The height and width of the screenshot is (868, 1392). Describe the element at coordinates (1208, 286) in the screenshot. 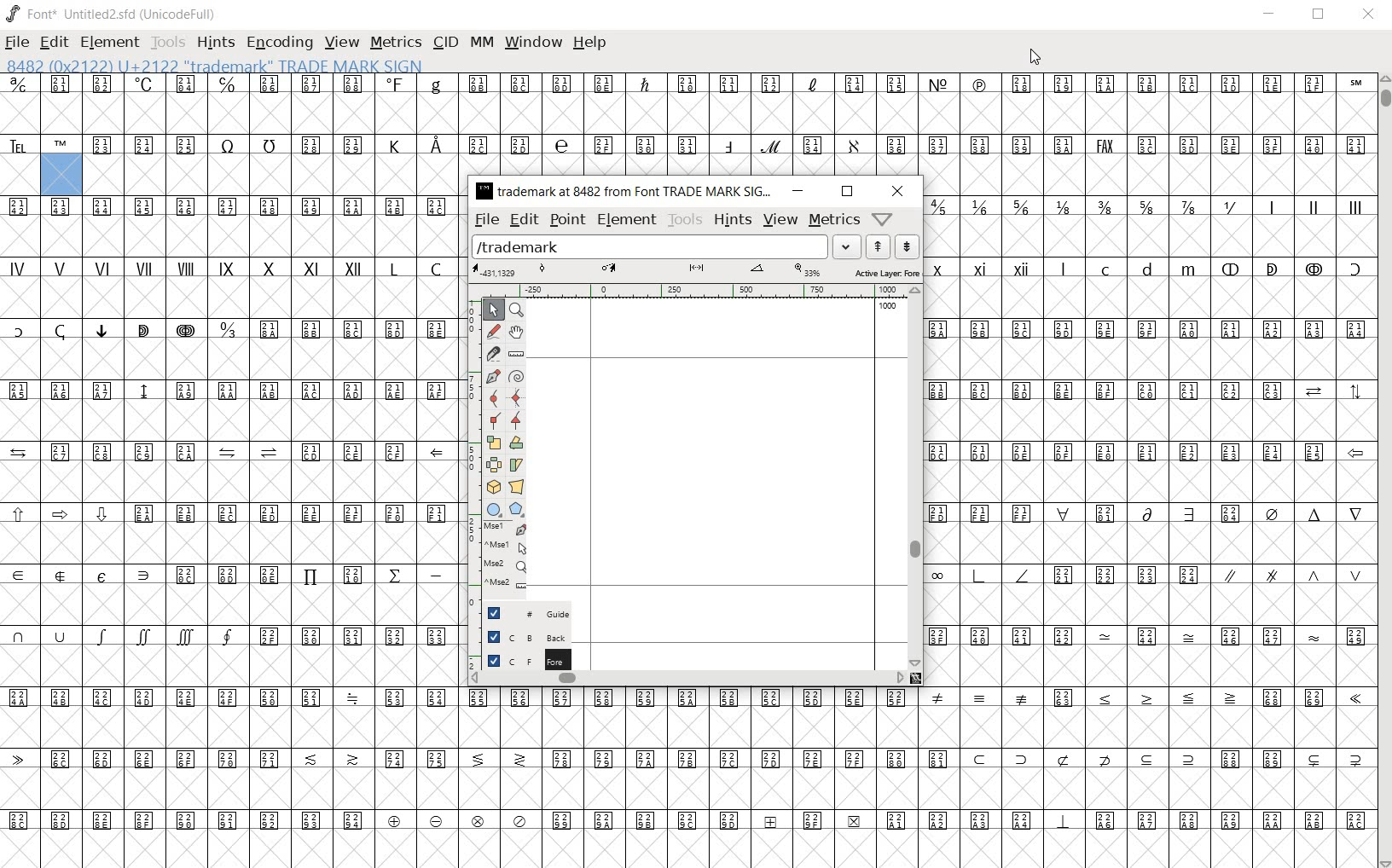

I see `special characters` at that location.